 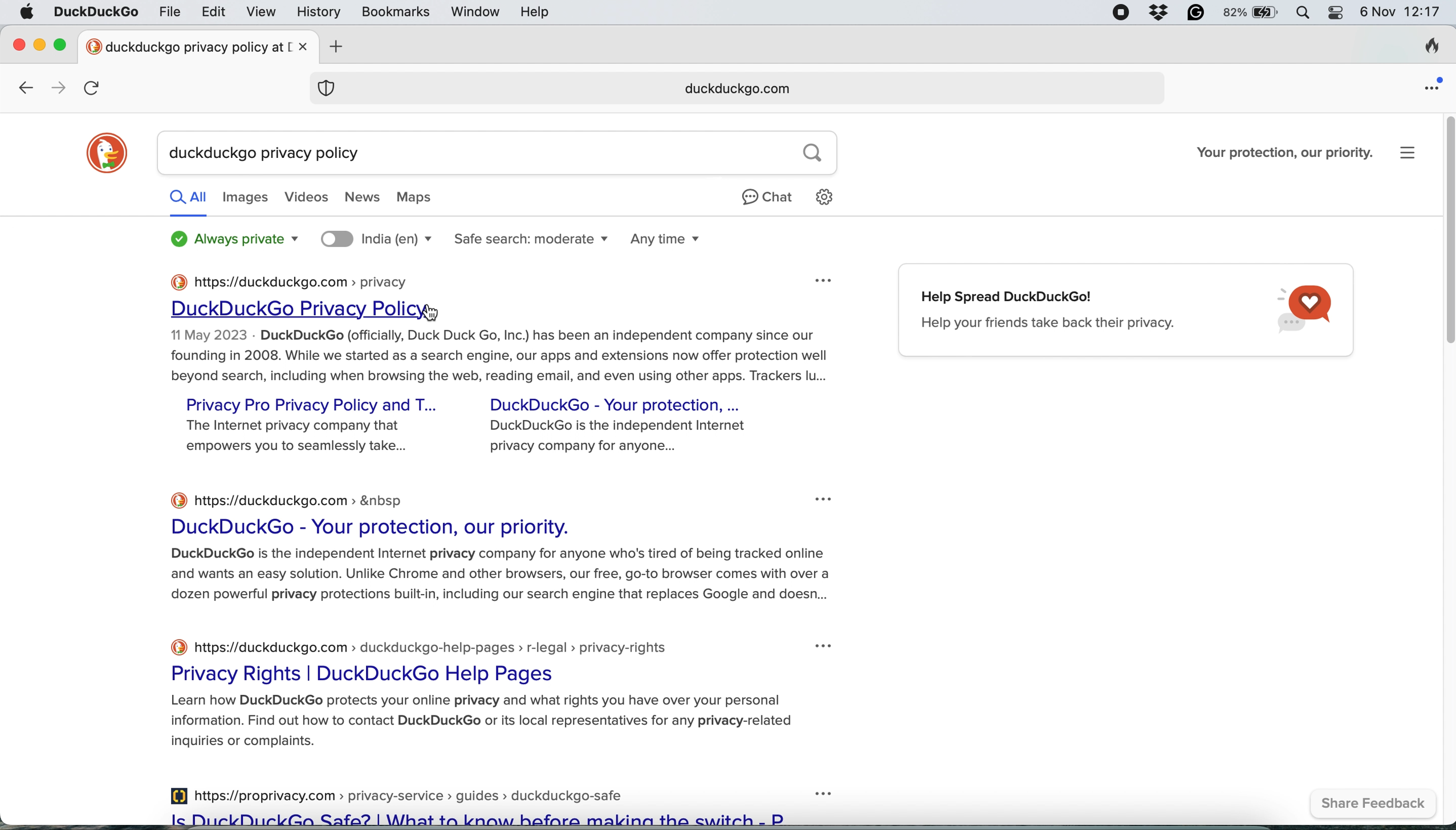 What do you see at coordinates (1123, 15) in the screenshot?
I see `screen recorder` at bounding box center [1123, 15].